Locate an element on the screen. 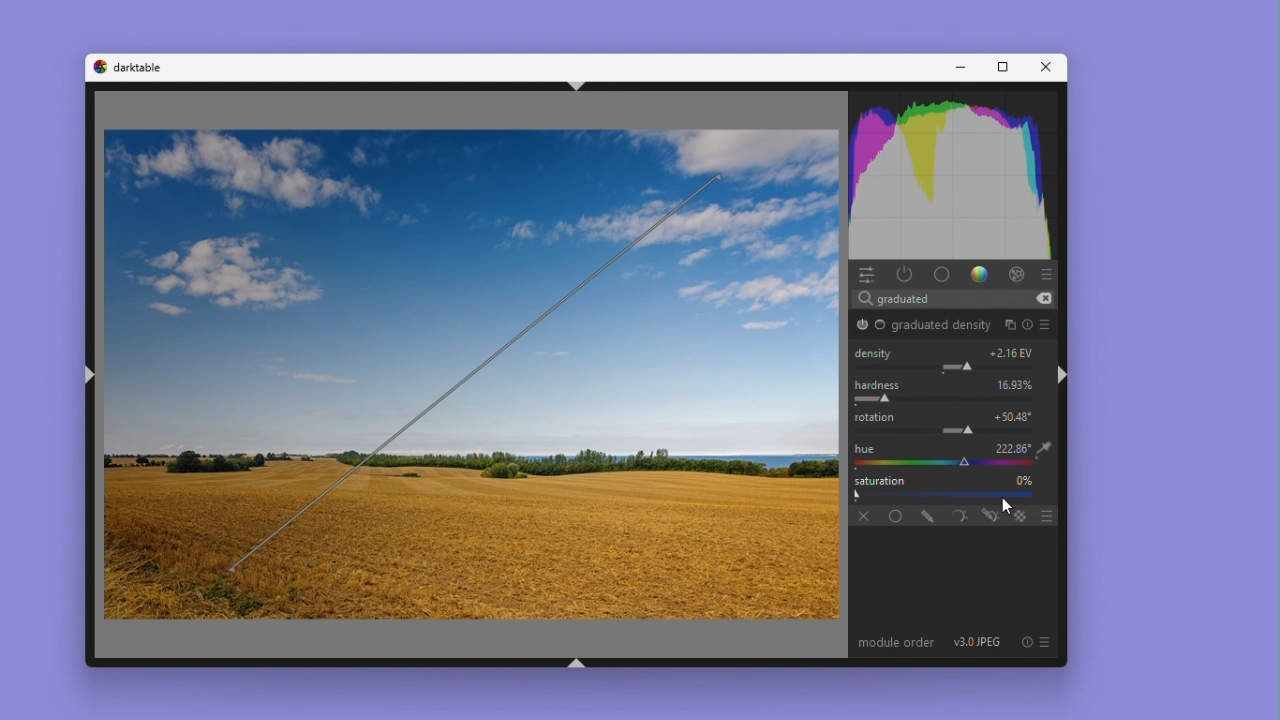 The image size is (1280, 720). drawn mask is located at coordinates (923, 514).